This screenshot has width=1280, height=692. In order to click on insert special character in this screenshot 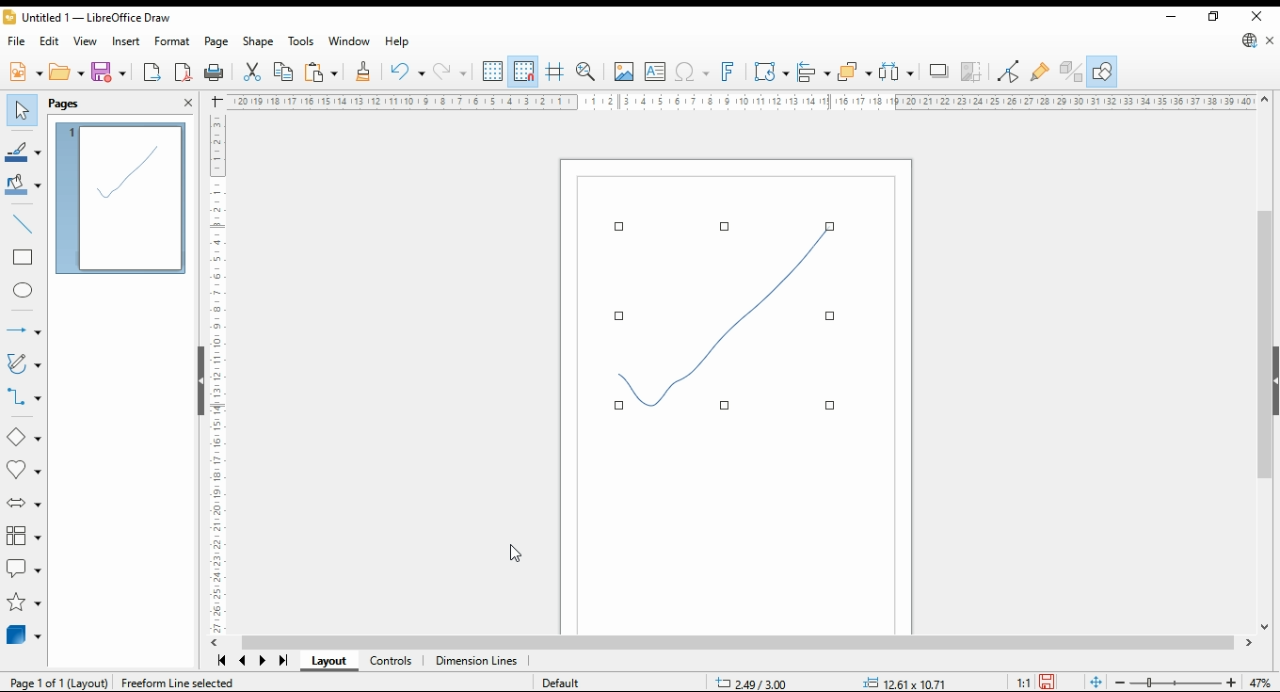, I will do `click(693, 72)`.